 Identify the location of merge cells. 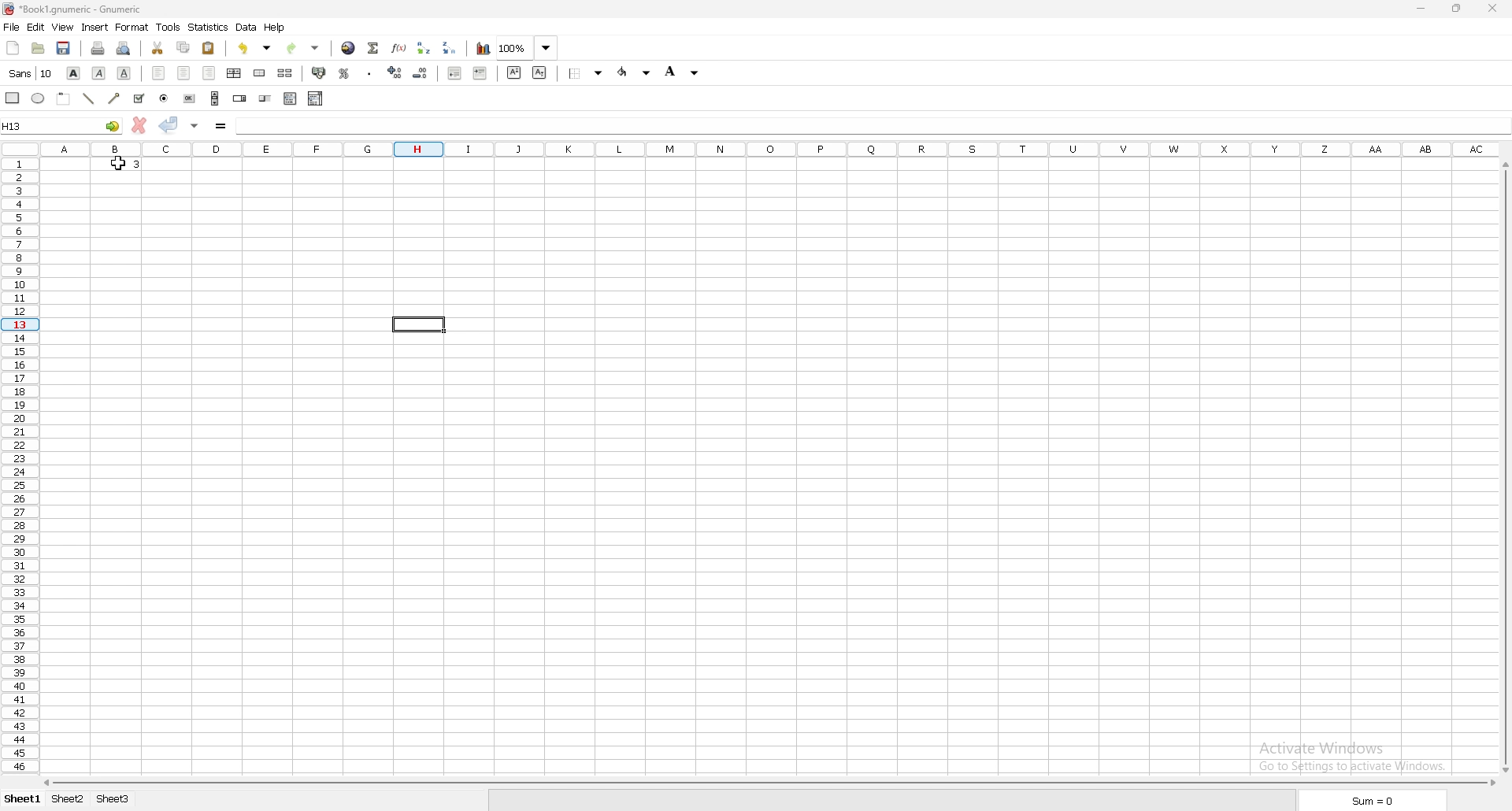
(259, 74).